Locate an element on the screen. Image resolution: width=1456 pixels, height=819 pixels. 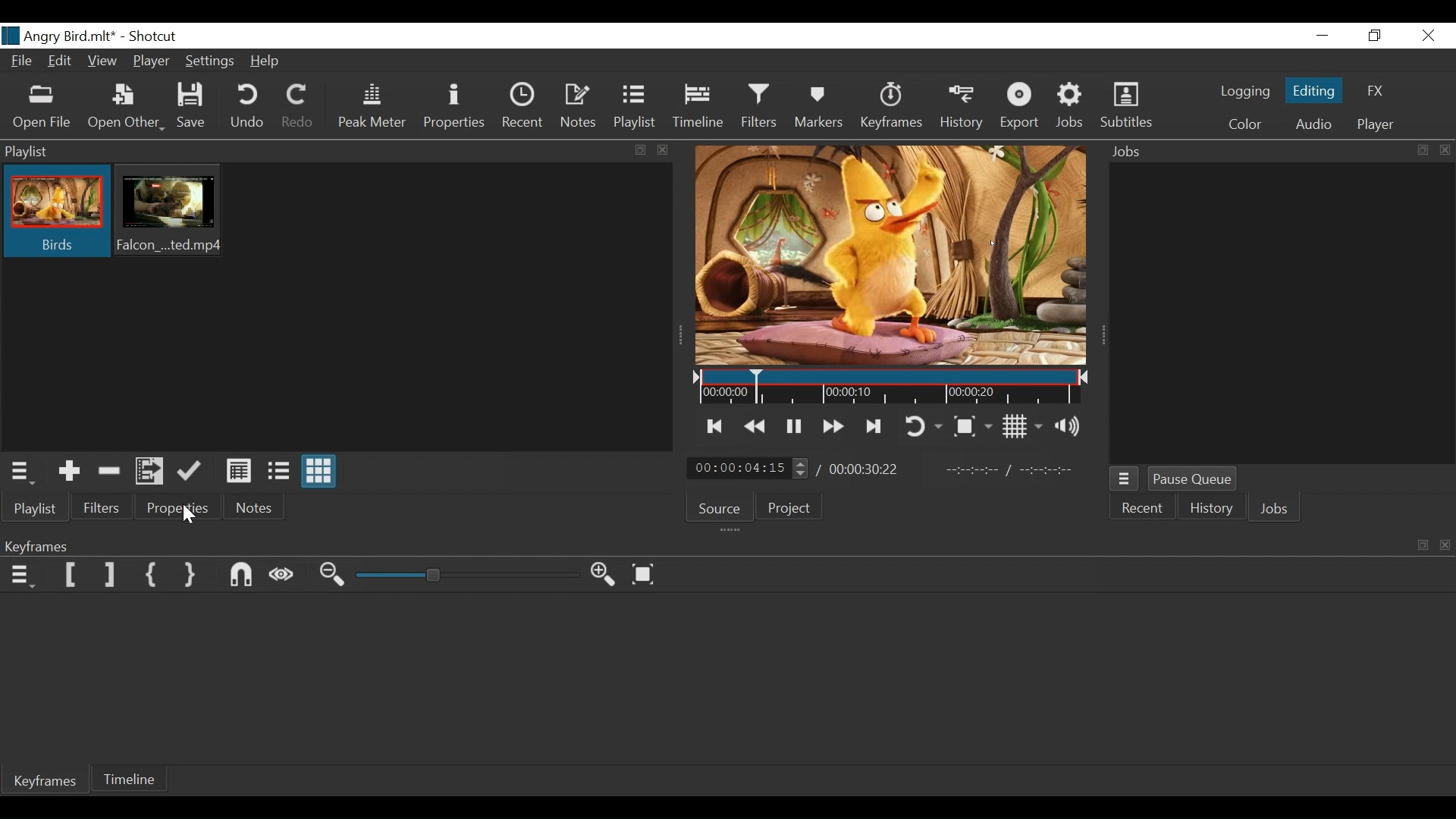
Snap is located at coordinates (243, 576).